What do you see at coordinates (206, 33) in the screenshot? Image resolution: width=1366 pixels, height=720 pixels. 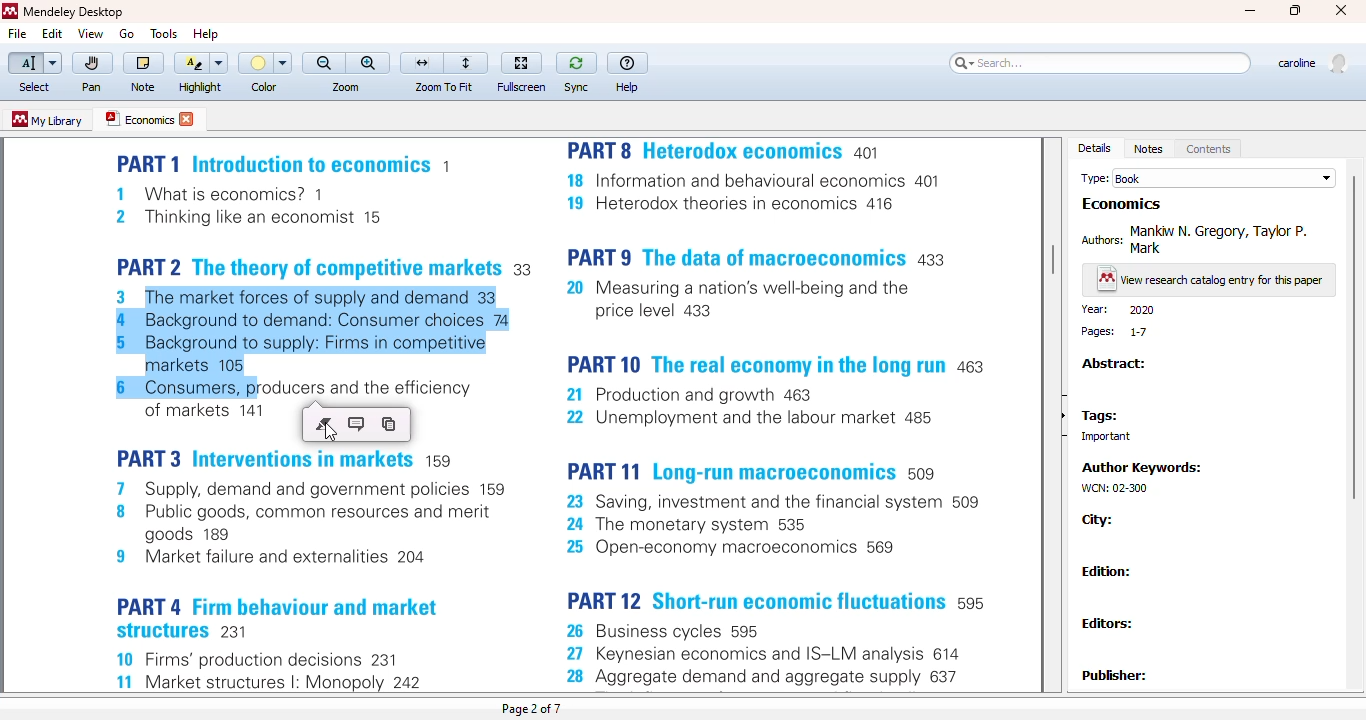 I see `help` at bounding box center [206, 33].